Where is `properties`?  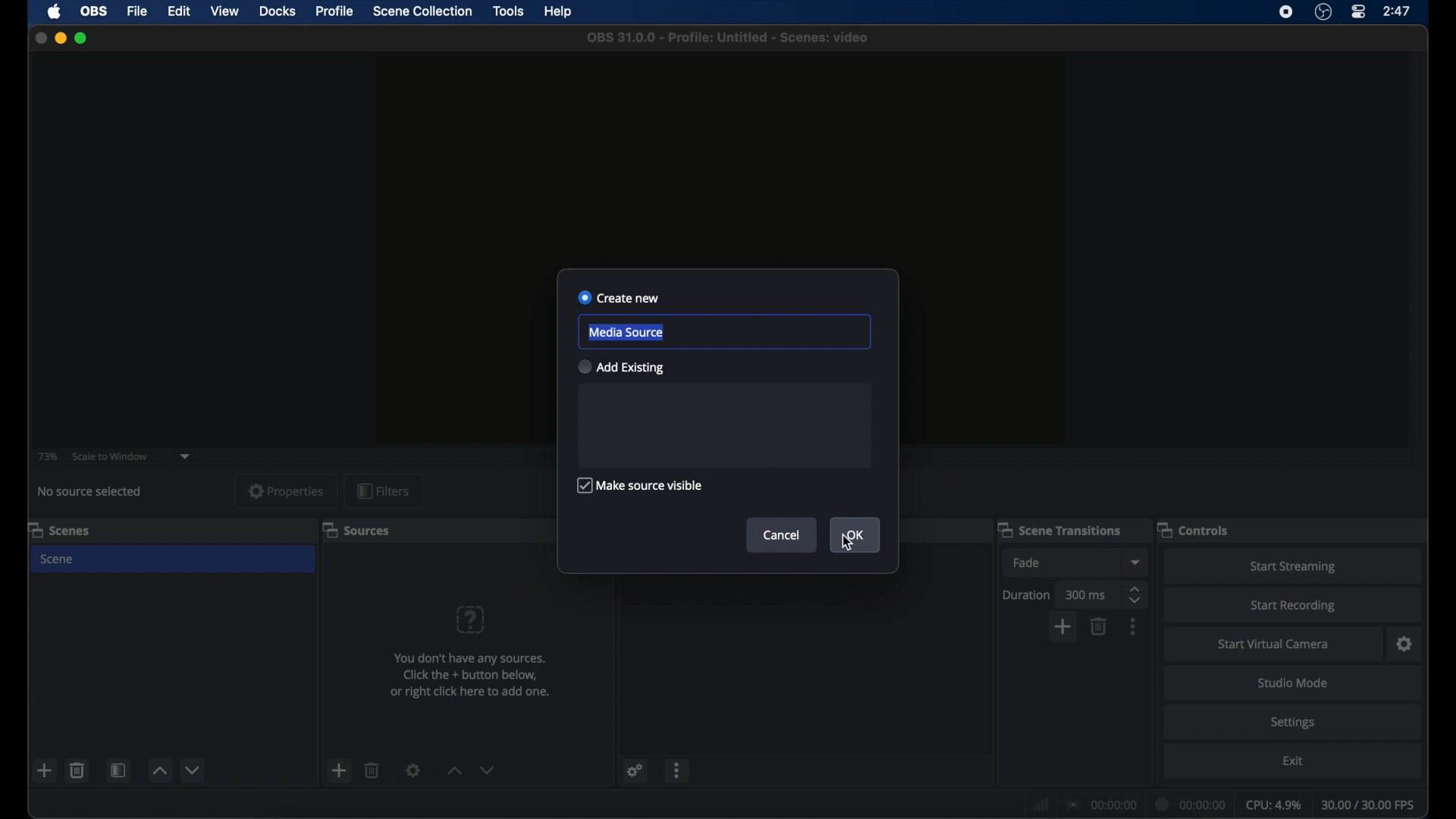
properties is located at coordinates (287, 491).